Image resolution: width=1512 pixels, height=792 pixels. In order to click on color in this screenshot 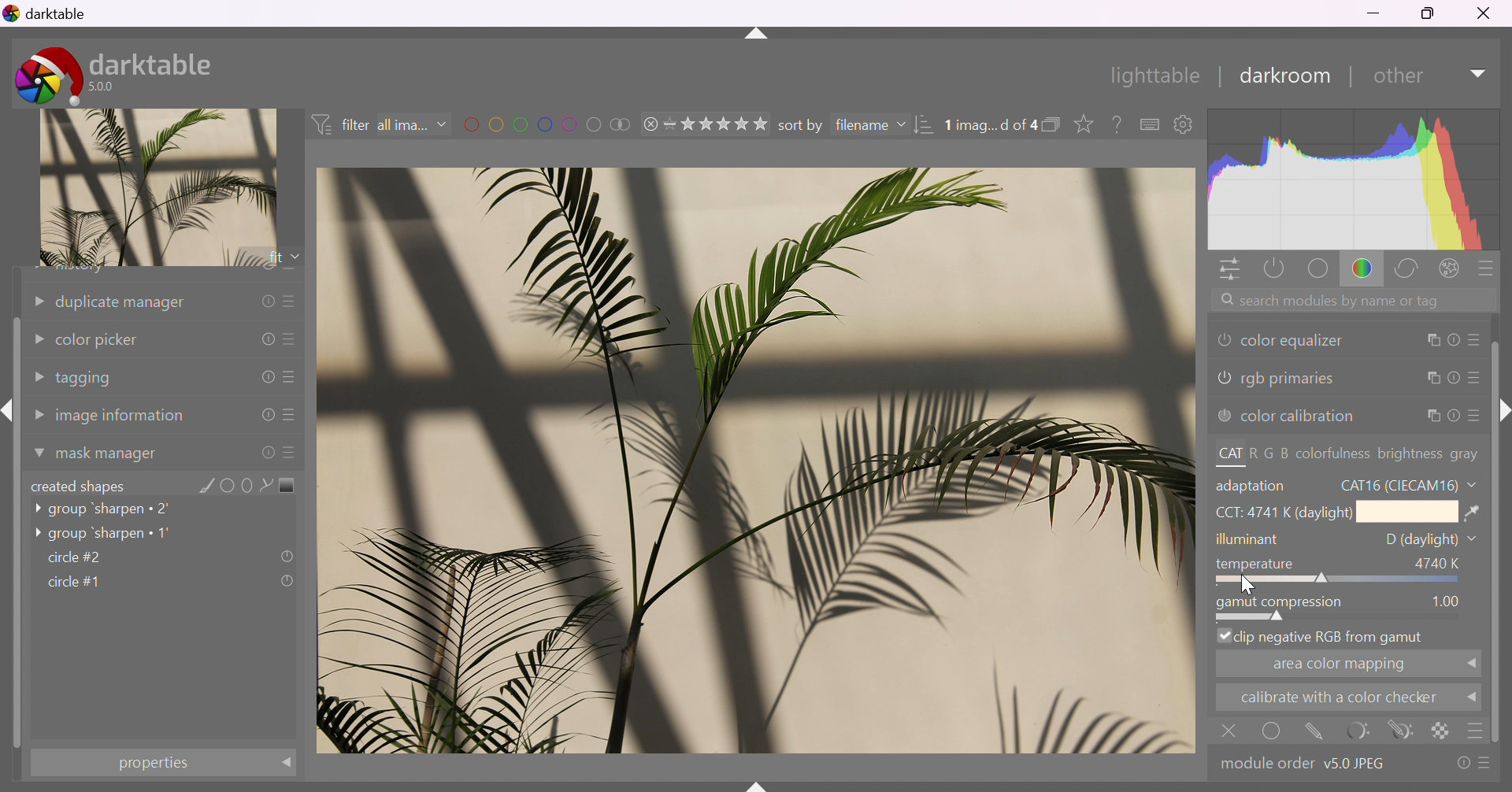, I will do `click(1361, 268)`.